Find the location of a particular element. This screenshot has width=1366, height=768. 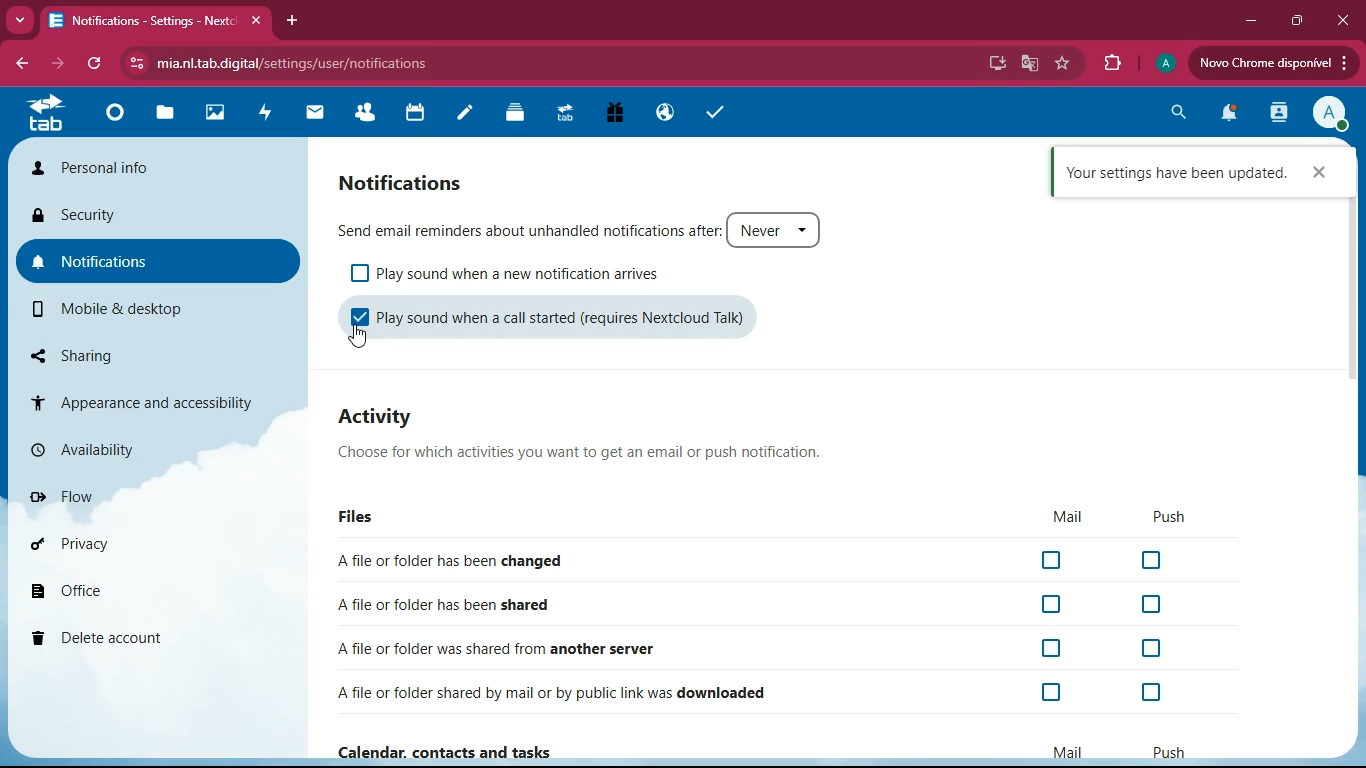

cursor is located at coordinates (357, 338).